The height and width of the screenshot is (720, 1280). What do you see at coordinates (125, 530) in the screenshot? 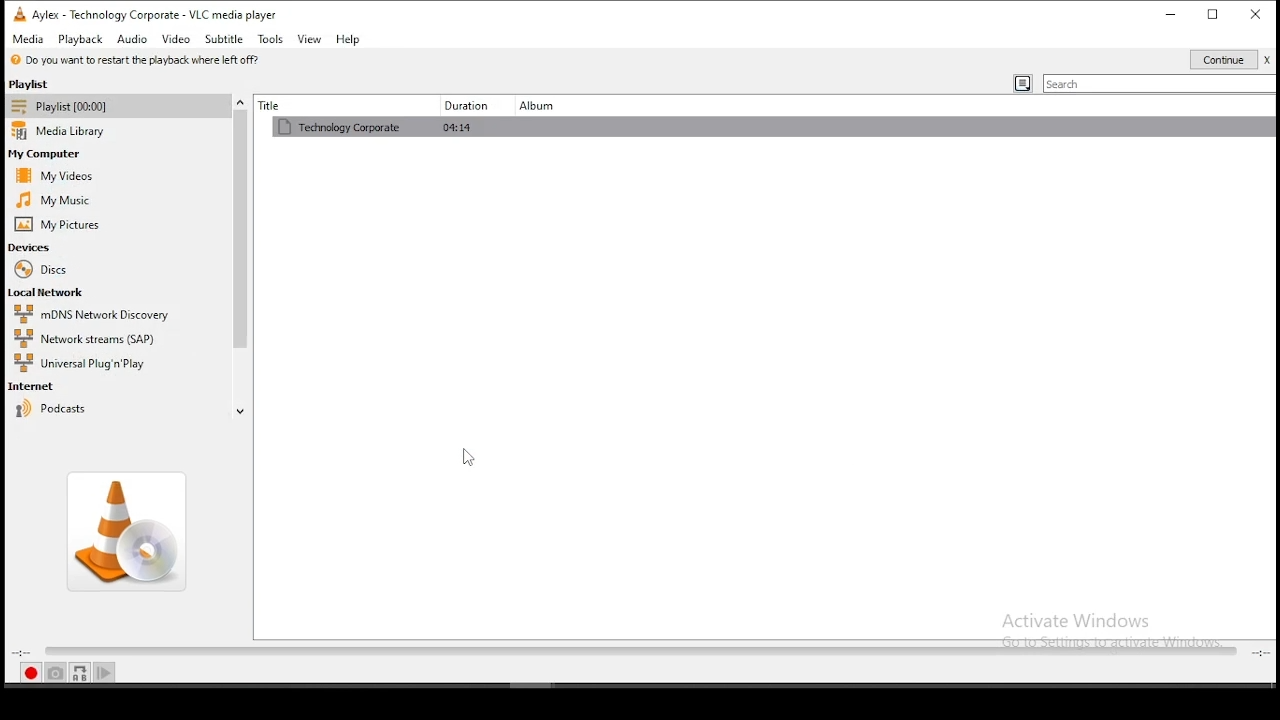
I see `album art` at bounding box center [125, 530].